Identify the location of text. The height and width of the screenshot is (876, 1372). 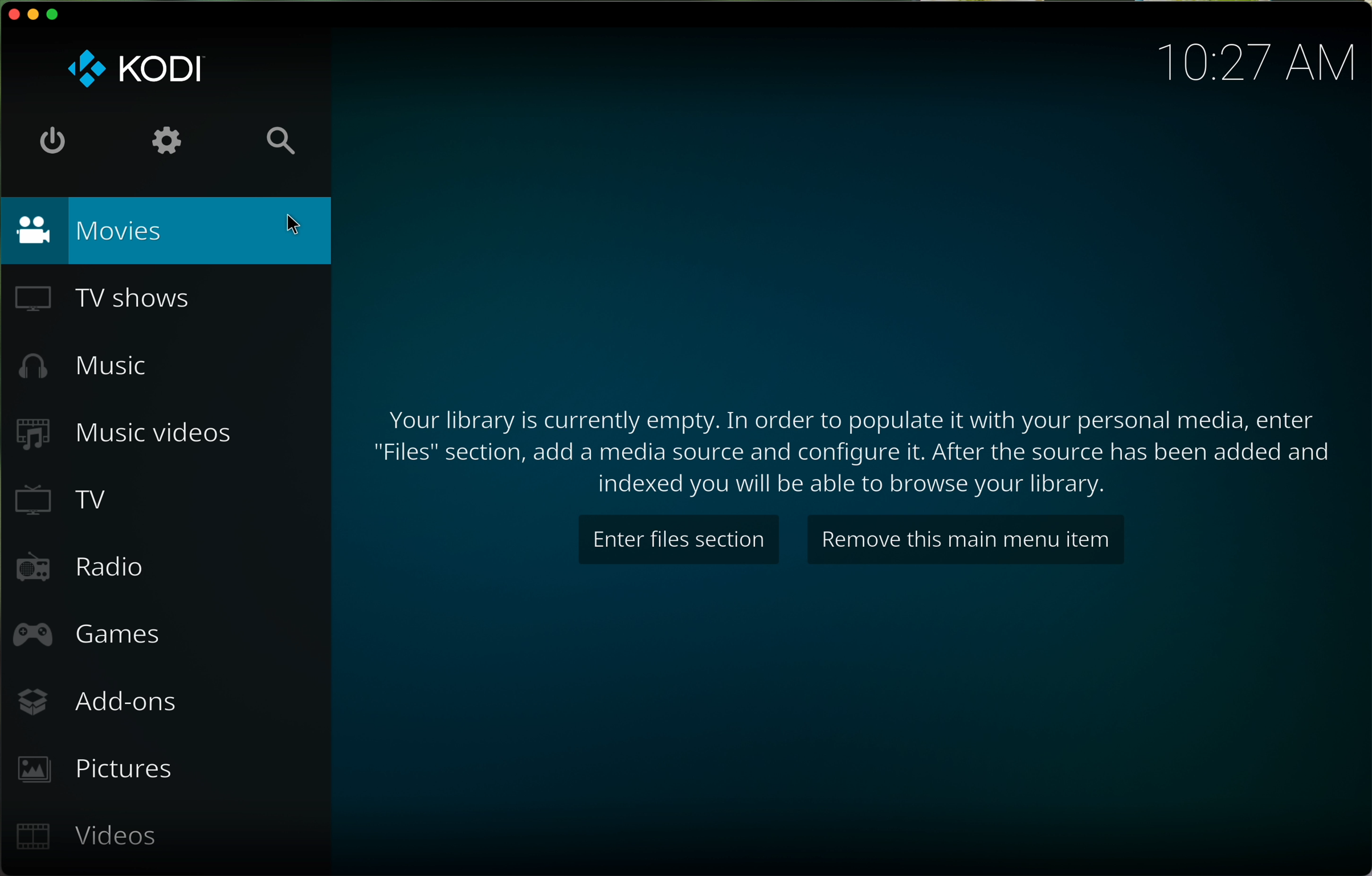
(841, 450).